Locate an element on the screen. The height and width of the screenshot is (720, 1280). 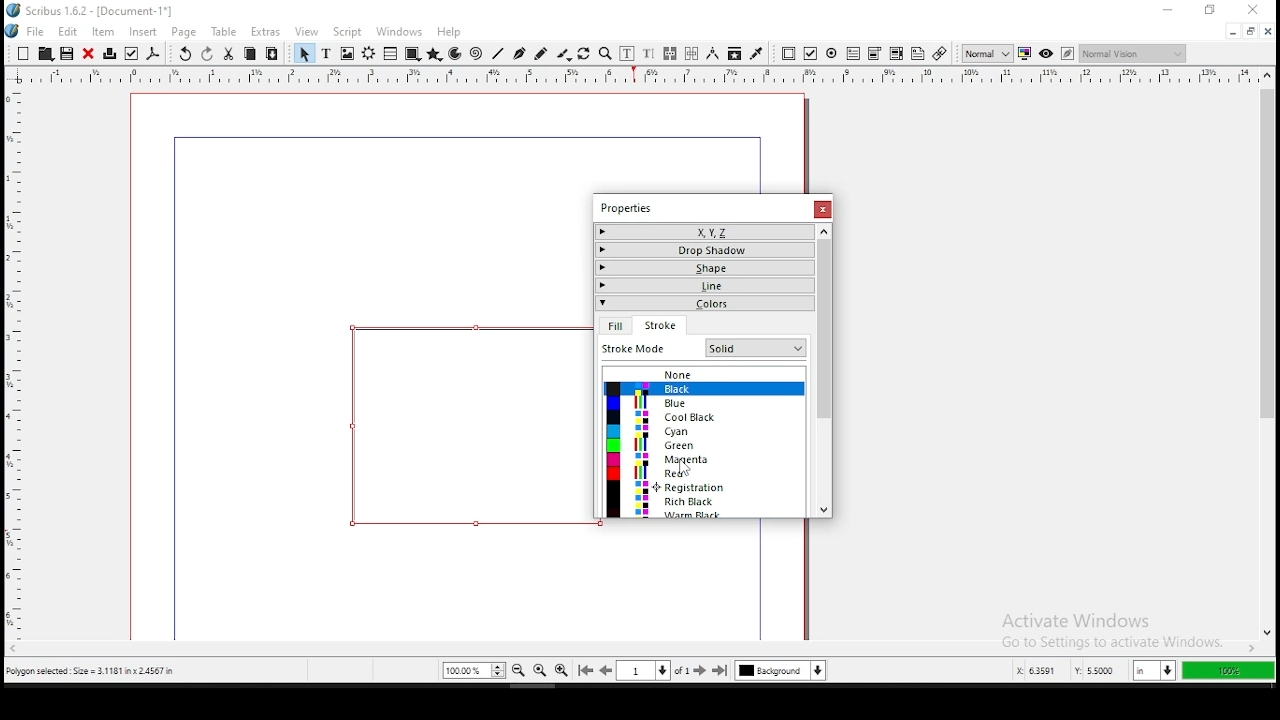
polygon selected size= 3.1181 inch x 2.4567 in is located at coordinates (94, 673).